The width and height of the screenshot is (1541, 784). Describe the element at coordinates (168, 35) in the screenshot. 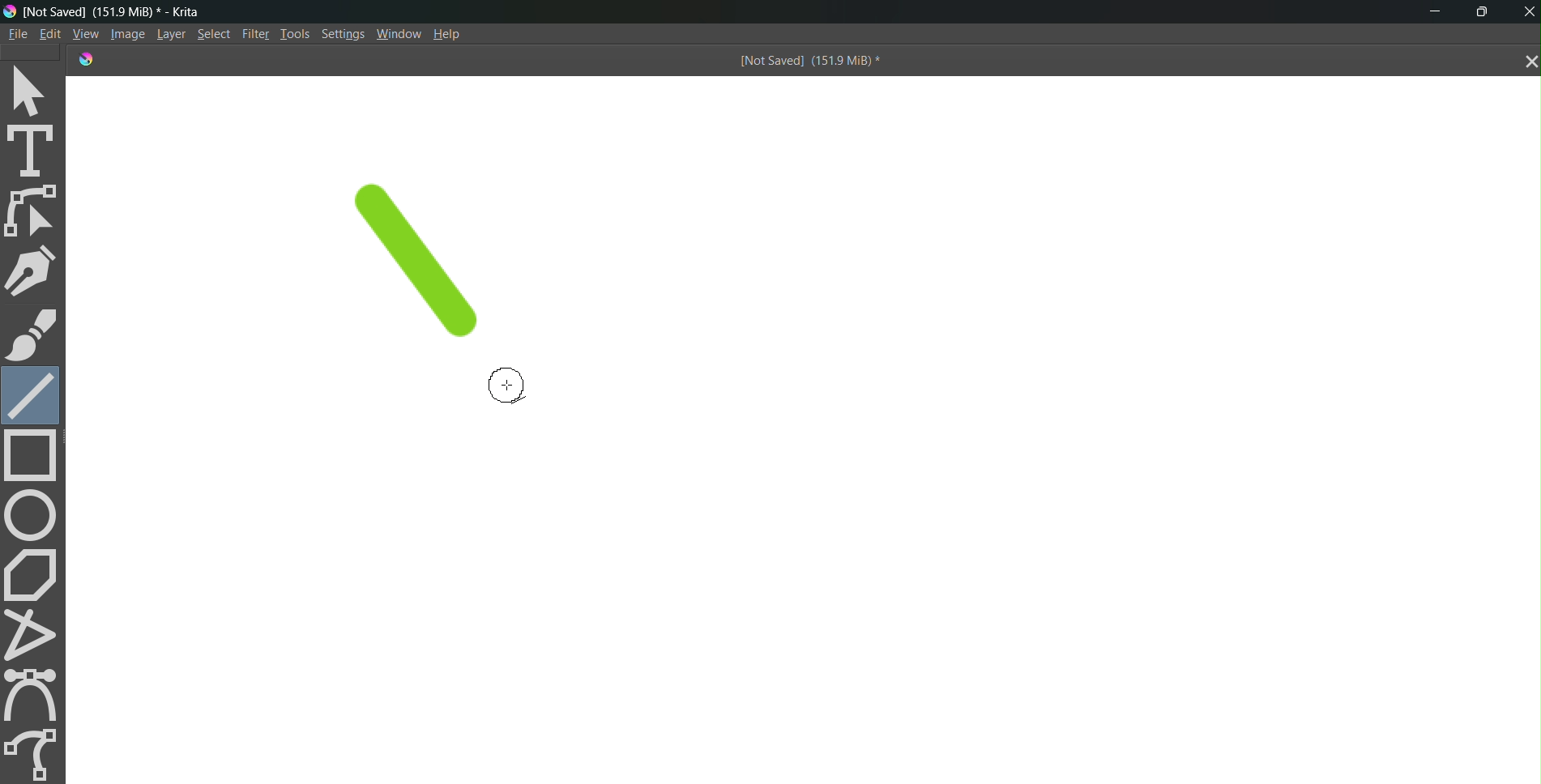

I see `Layer` at that location.